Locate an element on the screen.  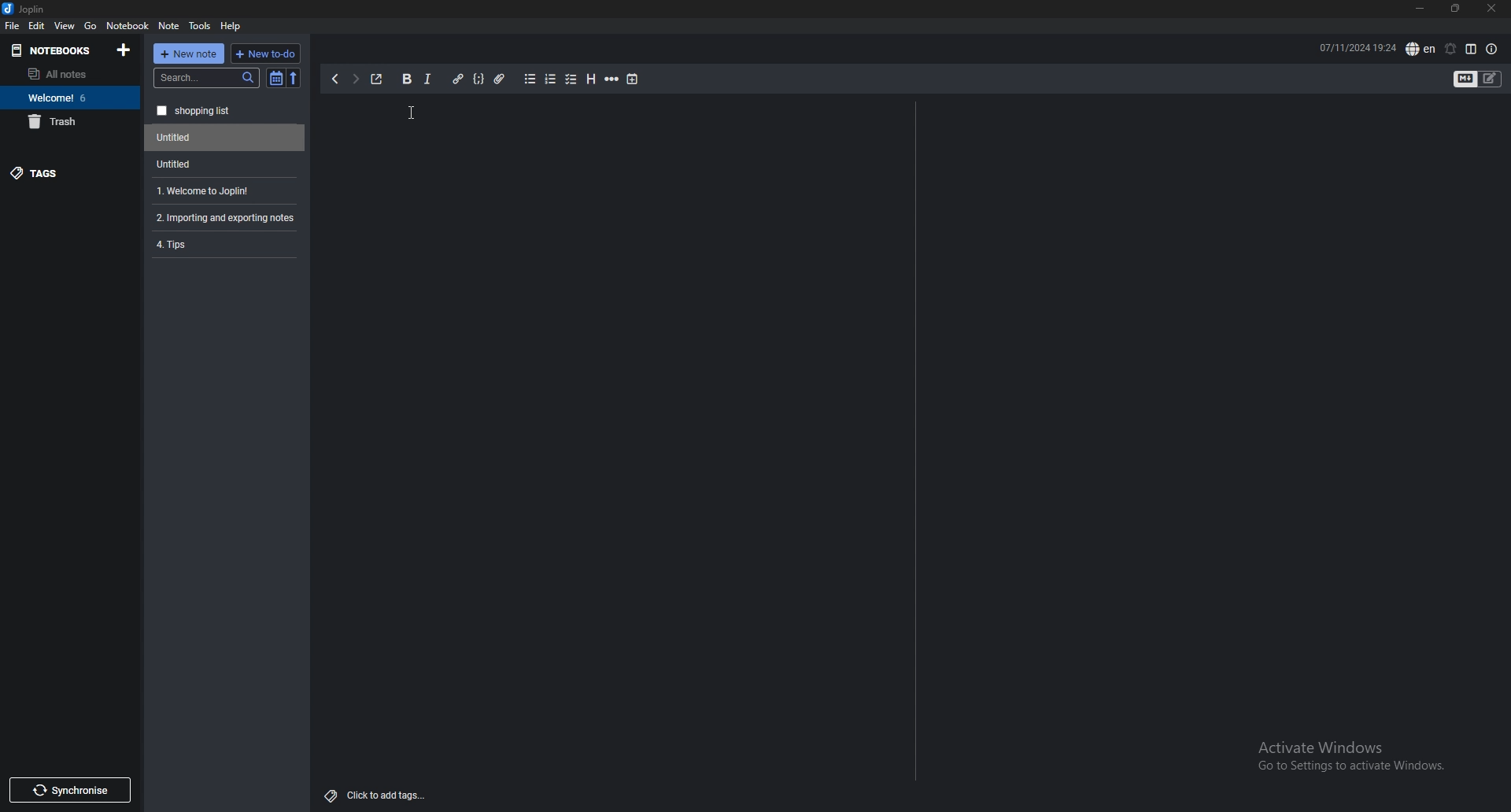
toggle editor layout is located at coordinates (1471, 49).